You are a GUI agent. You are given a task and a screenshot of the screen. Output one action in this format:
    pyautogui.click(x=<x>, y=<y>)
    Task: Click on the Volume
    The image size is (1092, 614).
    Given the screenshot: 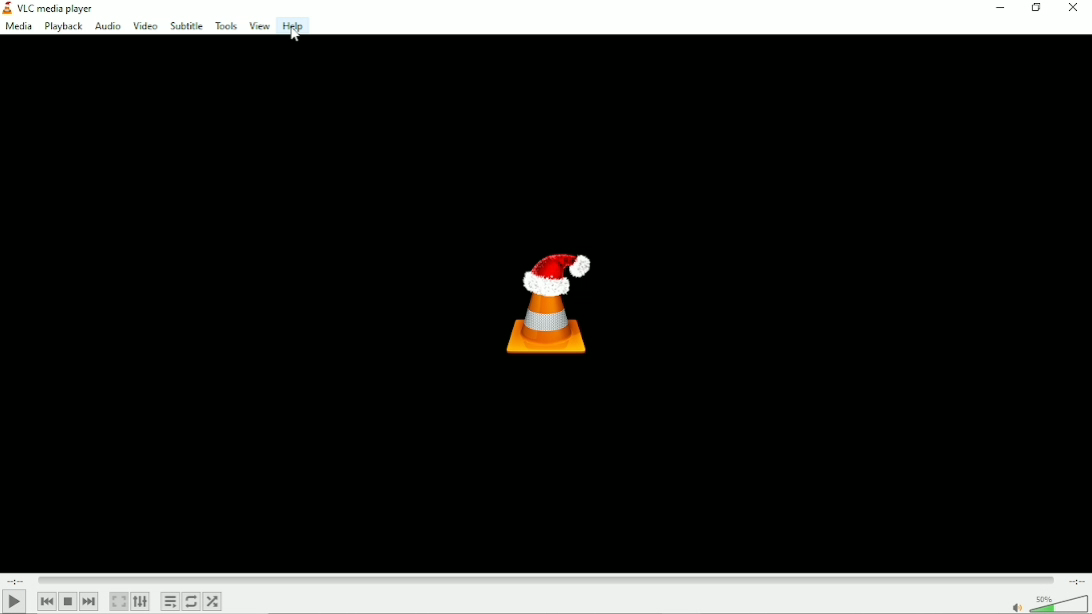 What is the action you would take?
    pyautogui.click(x=1059, y=604)
    